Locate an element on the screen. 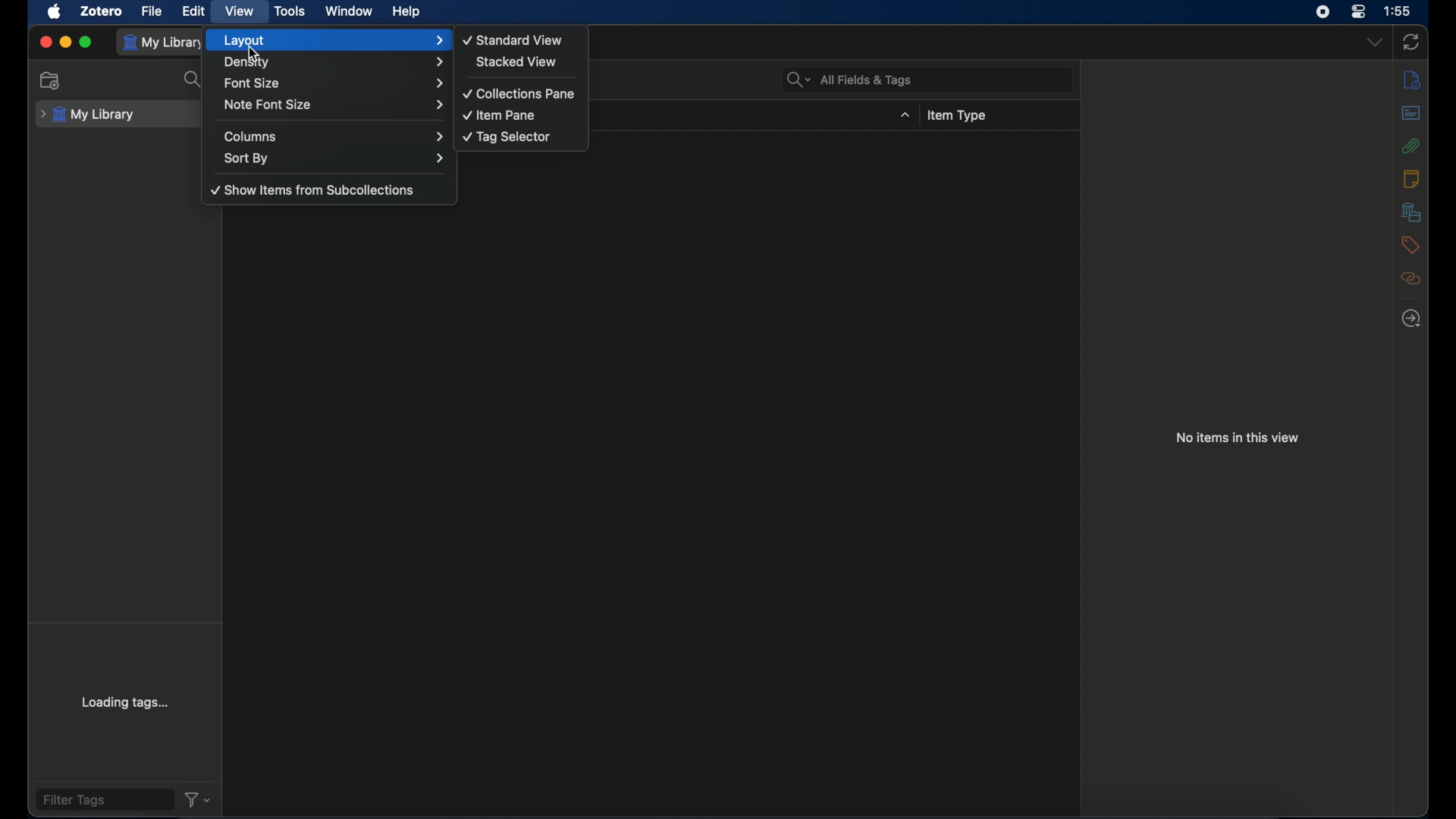 This screenshot has height=819, width=1456. tools is located at coordinates (291, 11).